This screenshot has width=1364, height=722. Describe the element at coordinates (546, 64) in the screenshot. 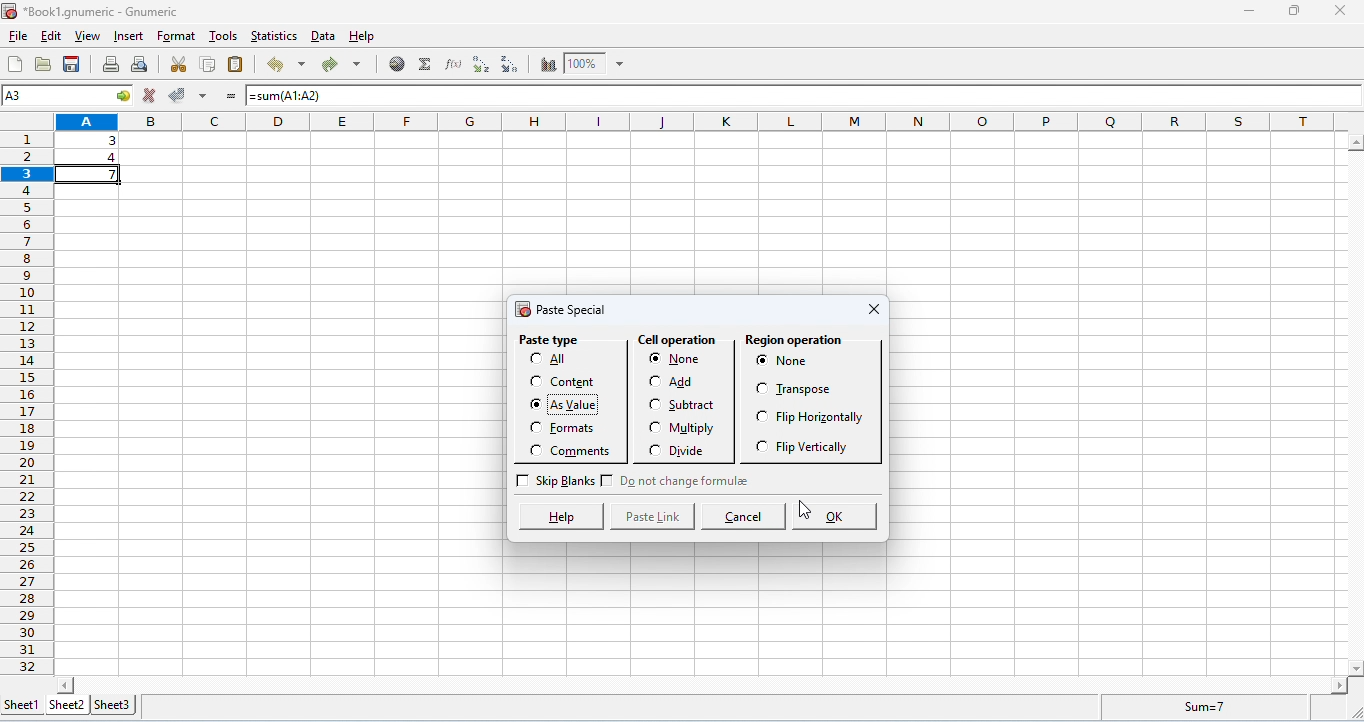

I see `chart` at that location.